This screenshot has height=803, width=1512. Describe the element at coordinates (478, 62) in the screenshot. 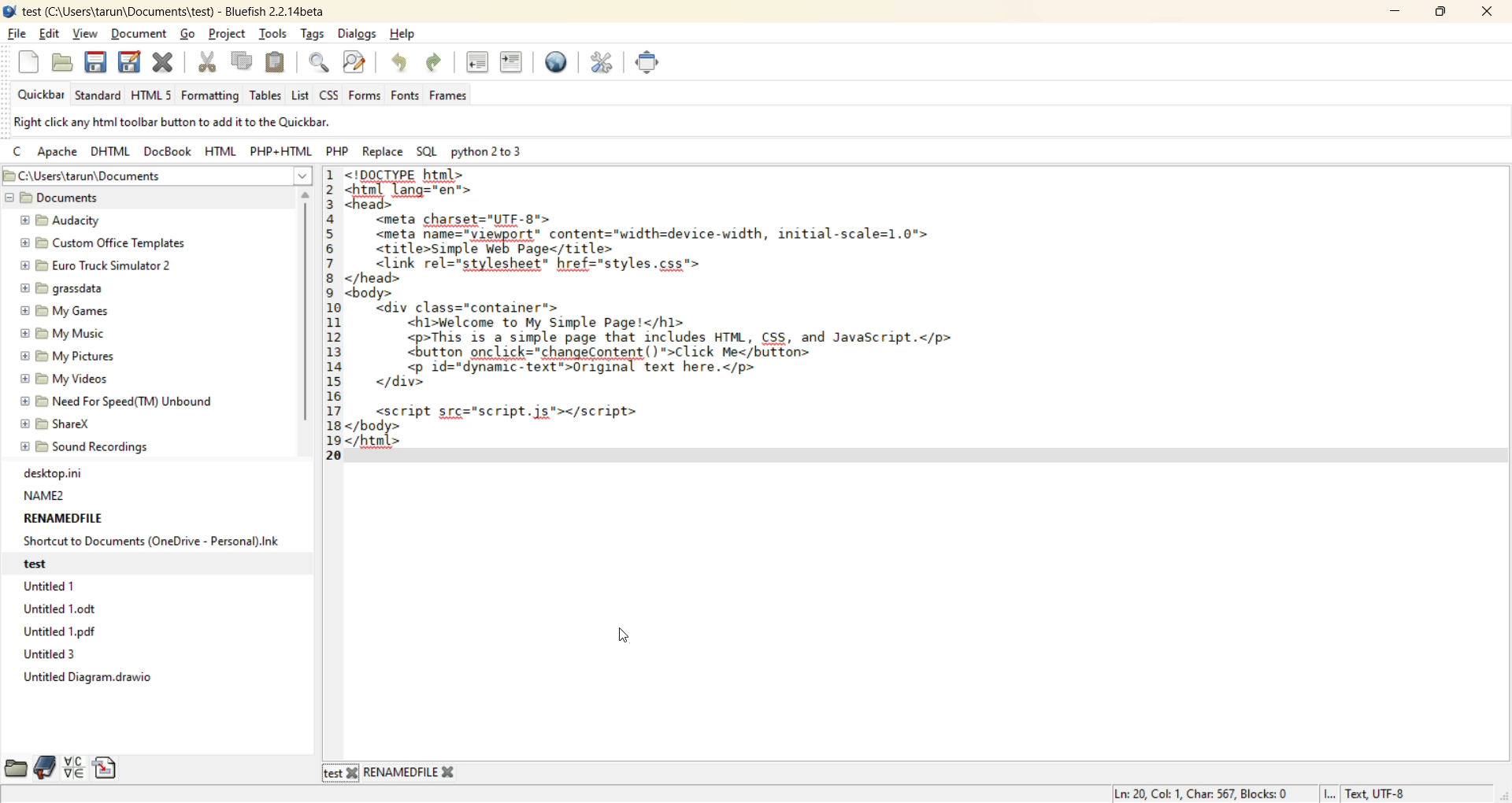

I see `unindent` at that location.